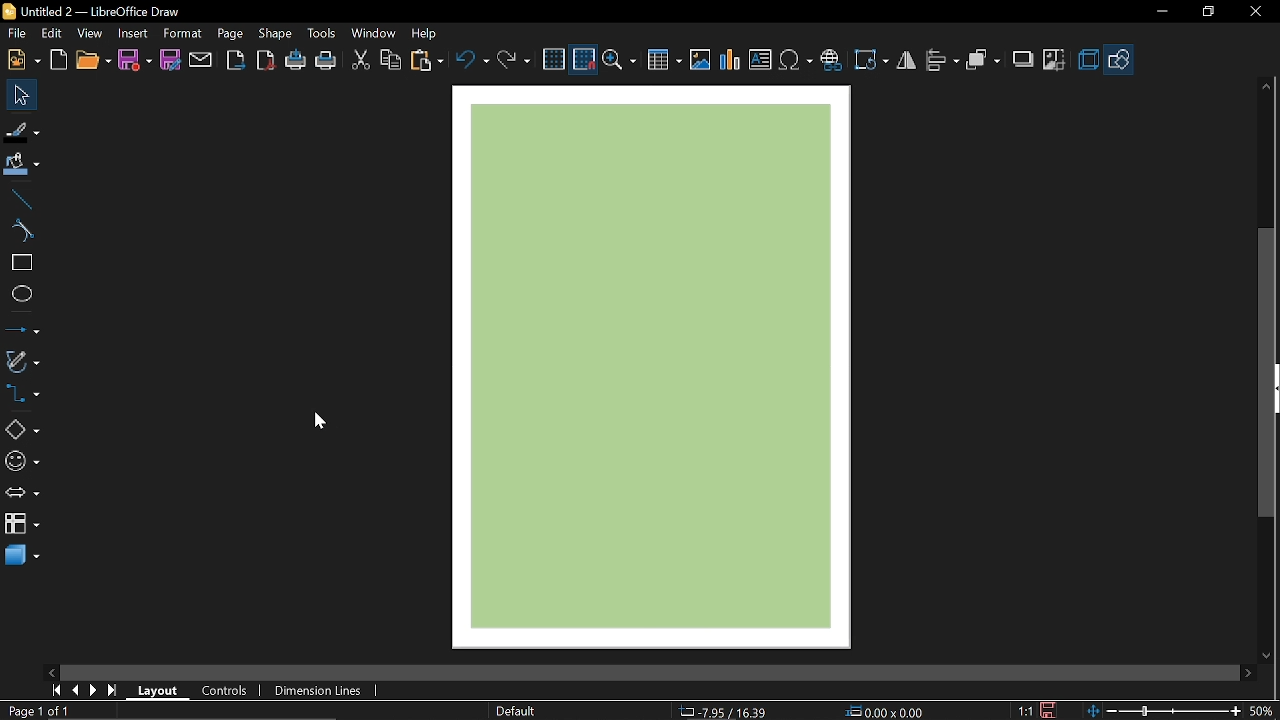  Describe the element at coordinates (1024, 710) in the screenshot. I see `Scaling factor` at that location.